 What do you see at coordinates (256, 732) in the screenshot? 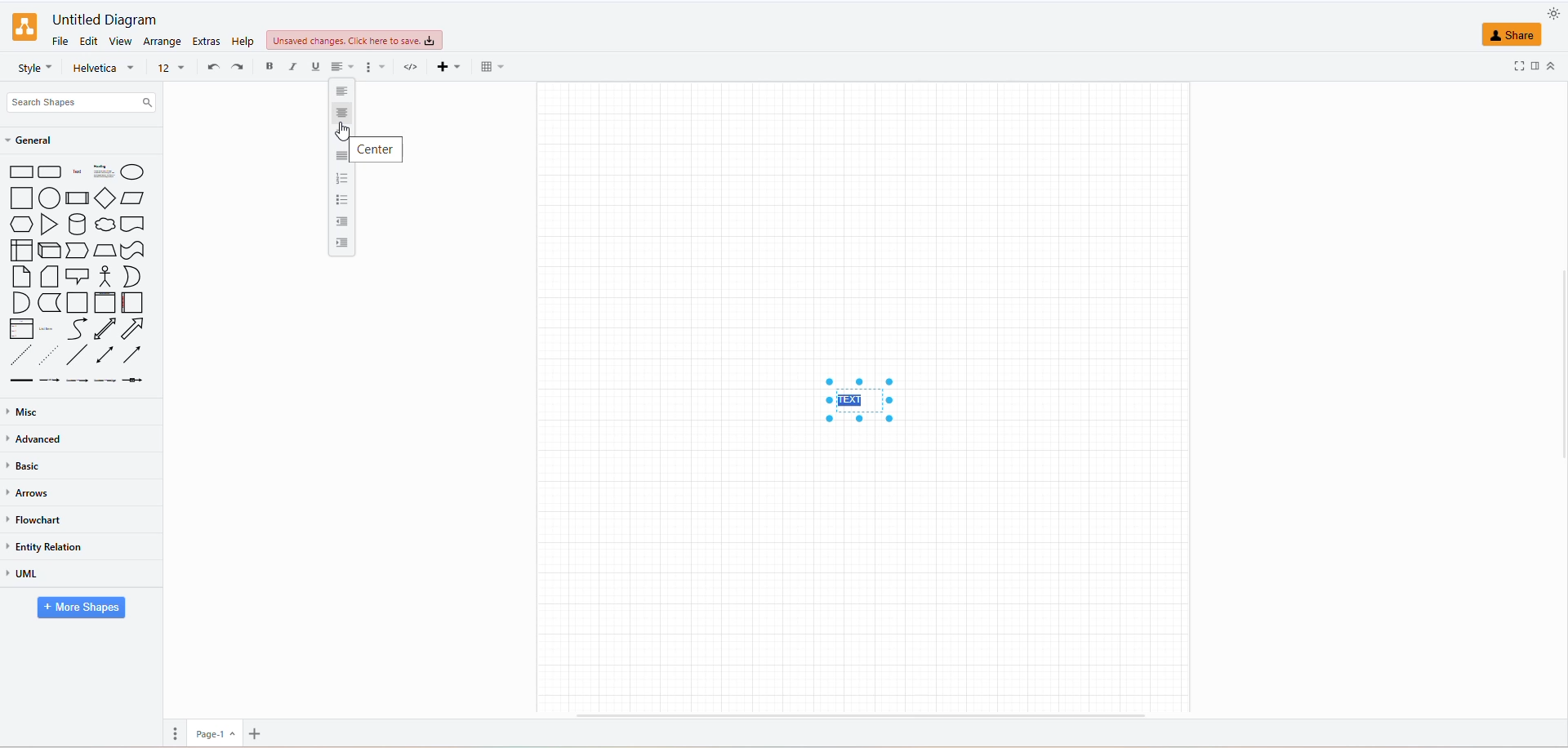
I see `insert page` at bounding box center [256, 732].